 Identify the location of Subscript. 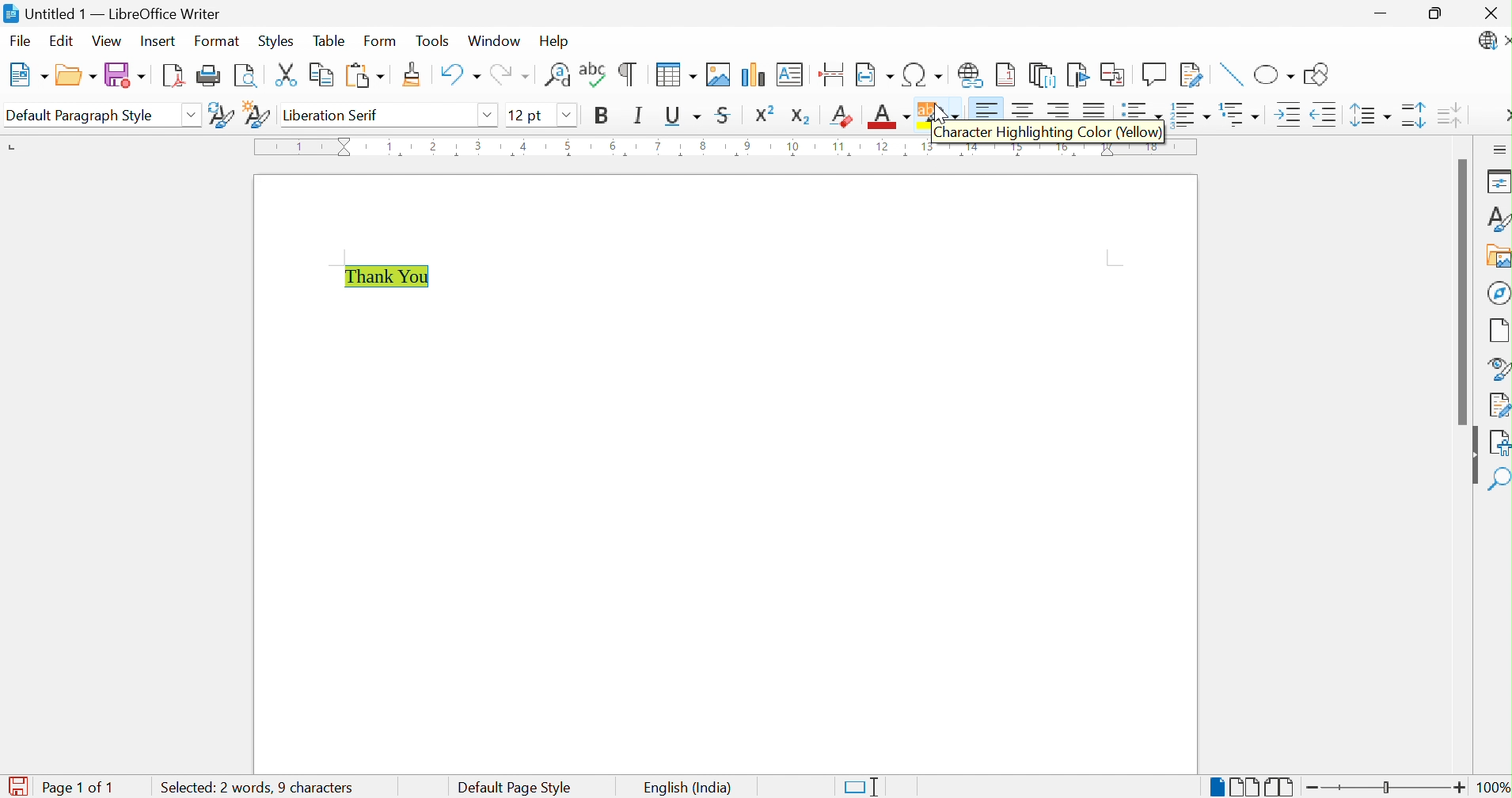
(801, 116).